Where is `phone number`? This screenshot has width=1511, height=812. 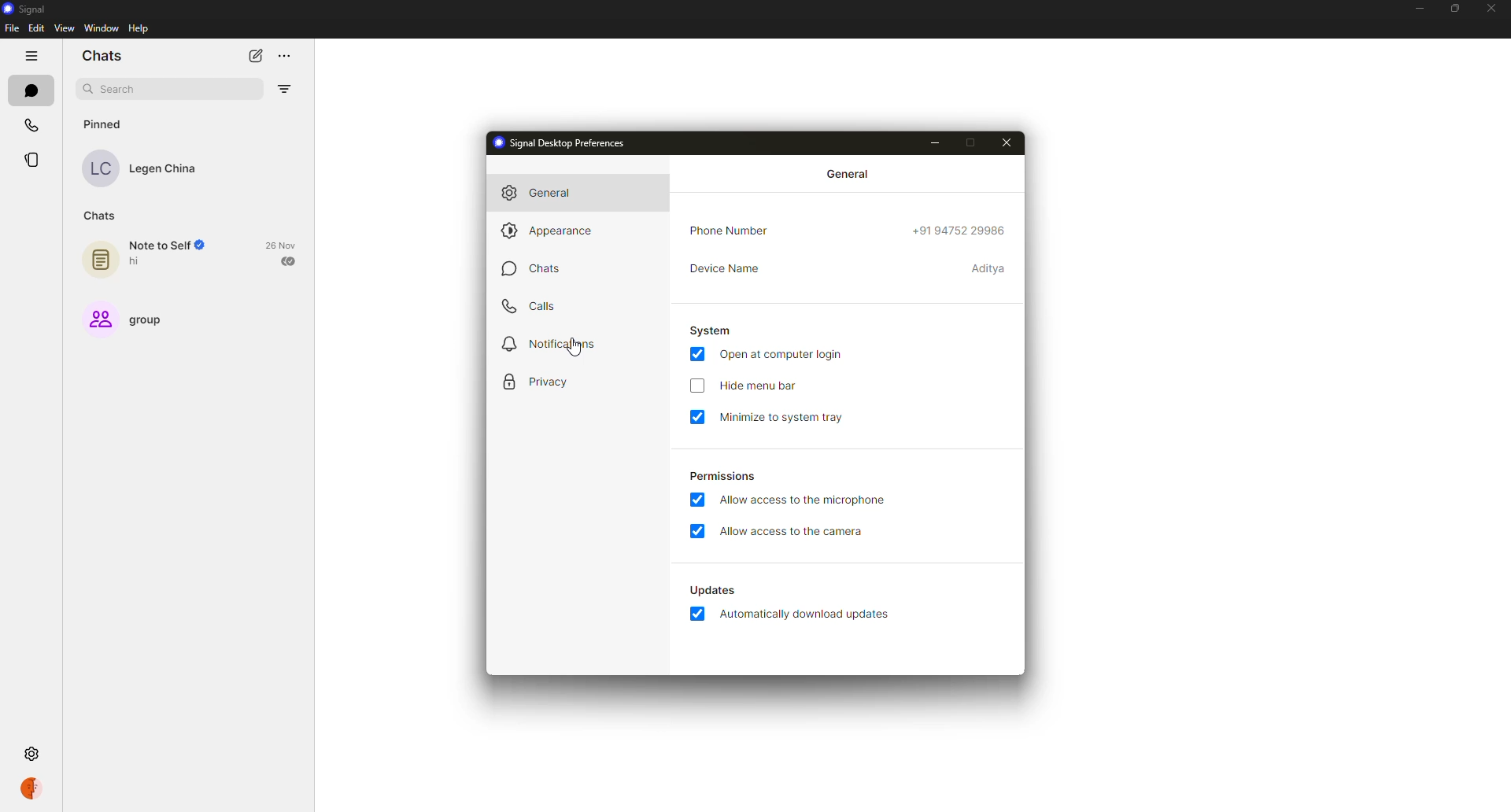 phone number is located at coordinates (733, 231).